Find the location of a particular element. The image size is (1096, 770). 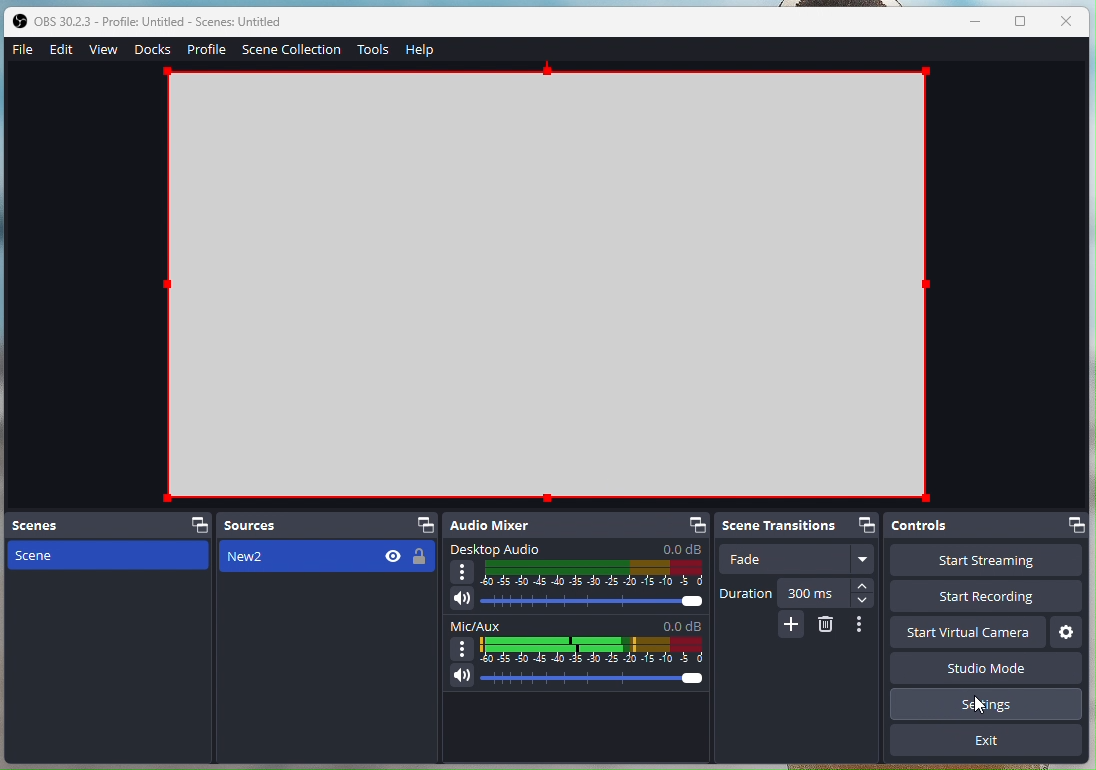

More options is located at coordinates (864, 559).